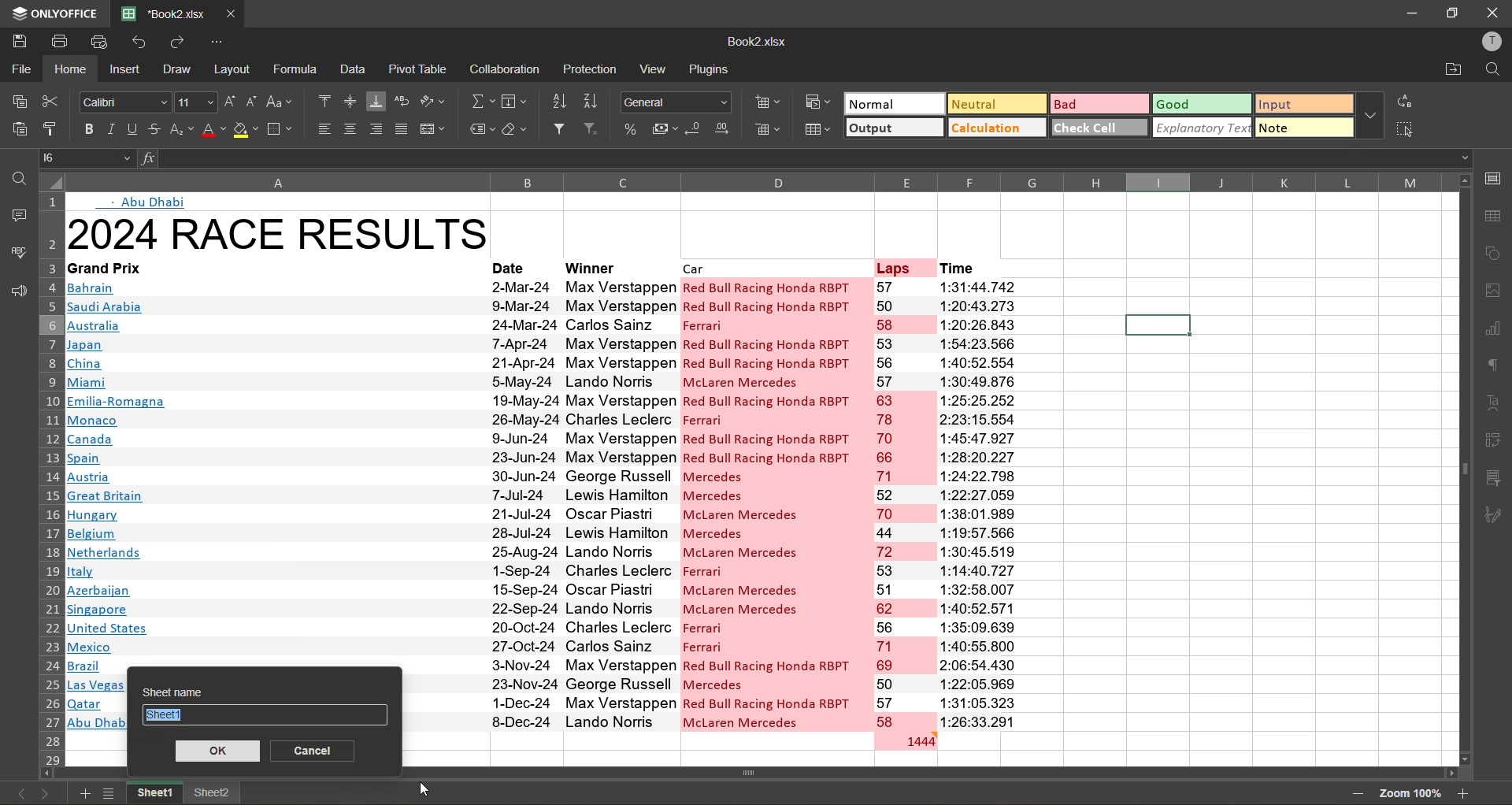 The image size is (1512, 805). I want to click on undo, so click(143, 43).